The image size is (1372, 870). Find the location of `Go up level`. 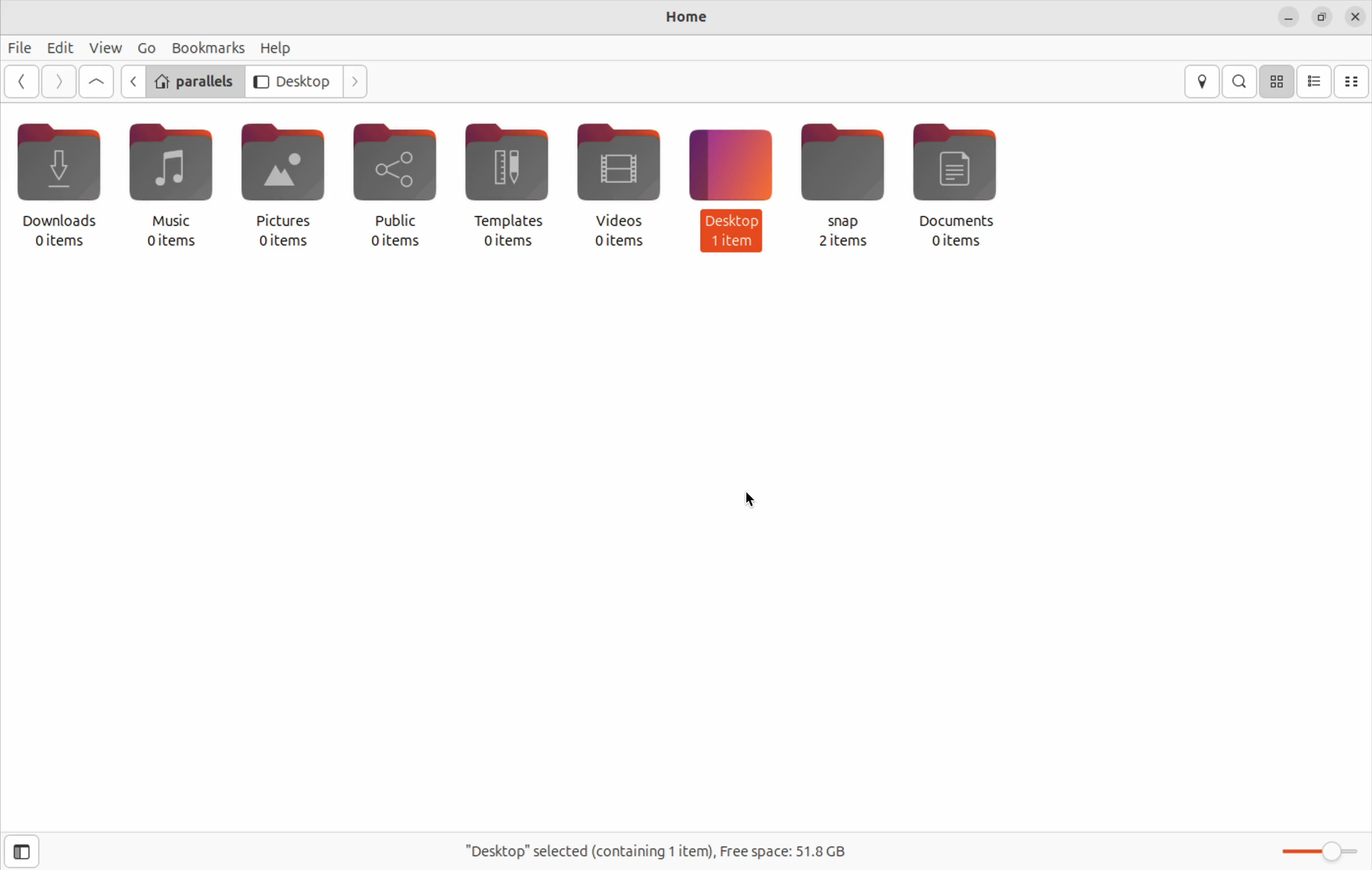

Go up level is located at coordinates (96, 82).